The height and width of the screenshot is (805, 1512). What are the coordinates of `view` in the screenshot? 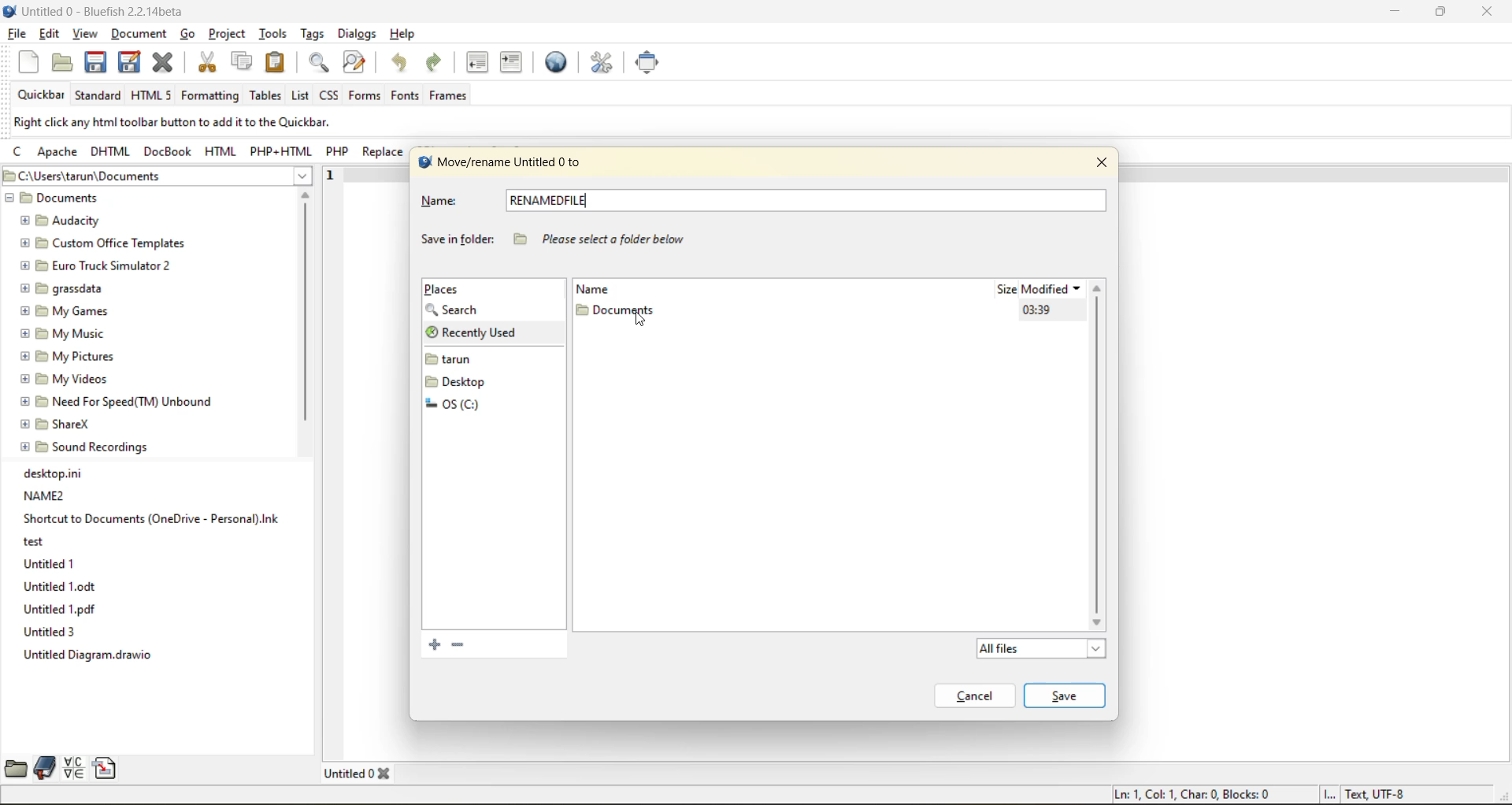 It's located at (83, 32).